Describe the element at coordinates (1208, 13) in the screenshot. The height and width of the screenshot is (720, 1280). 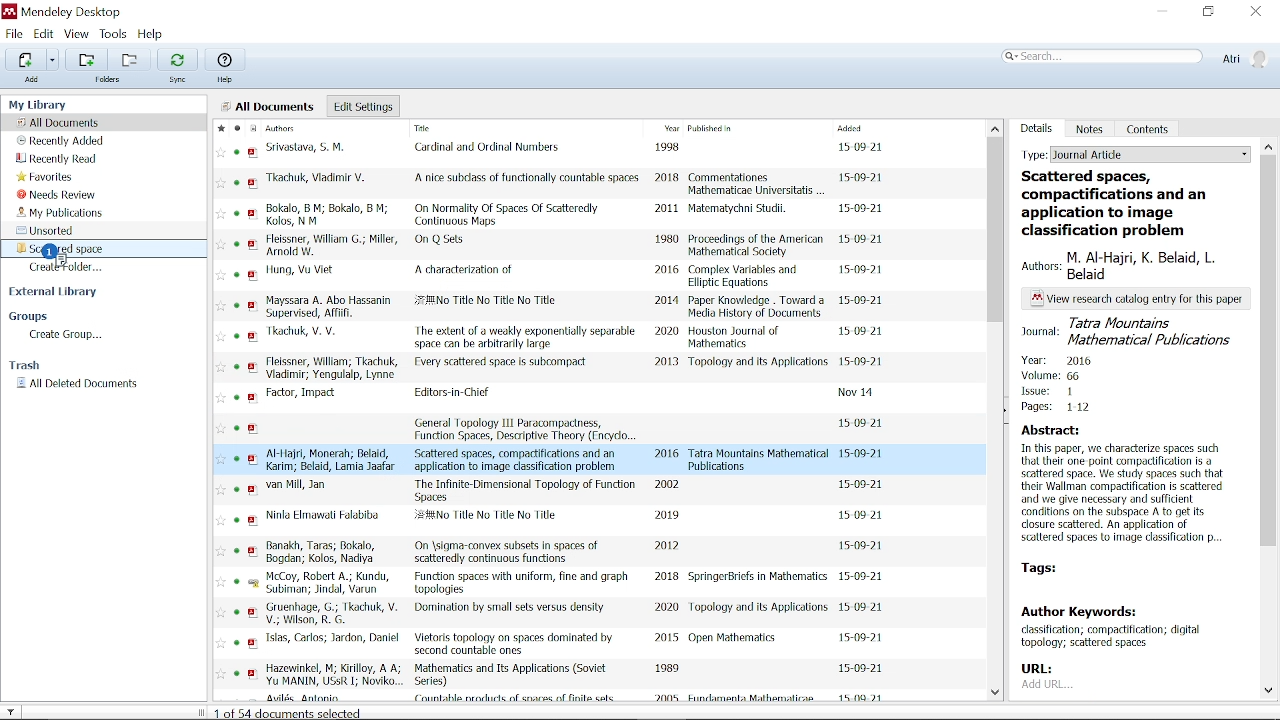
I see `Restore down` at that location.